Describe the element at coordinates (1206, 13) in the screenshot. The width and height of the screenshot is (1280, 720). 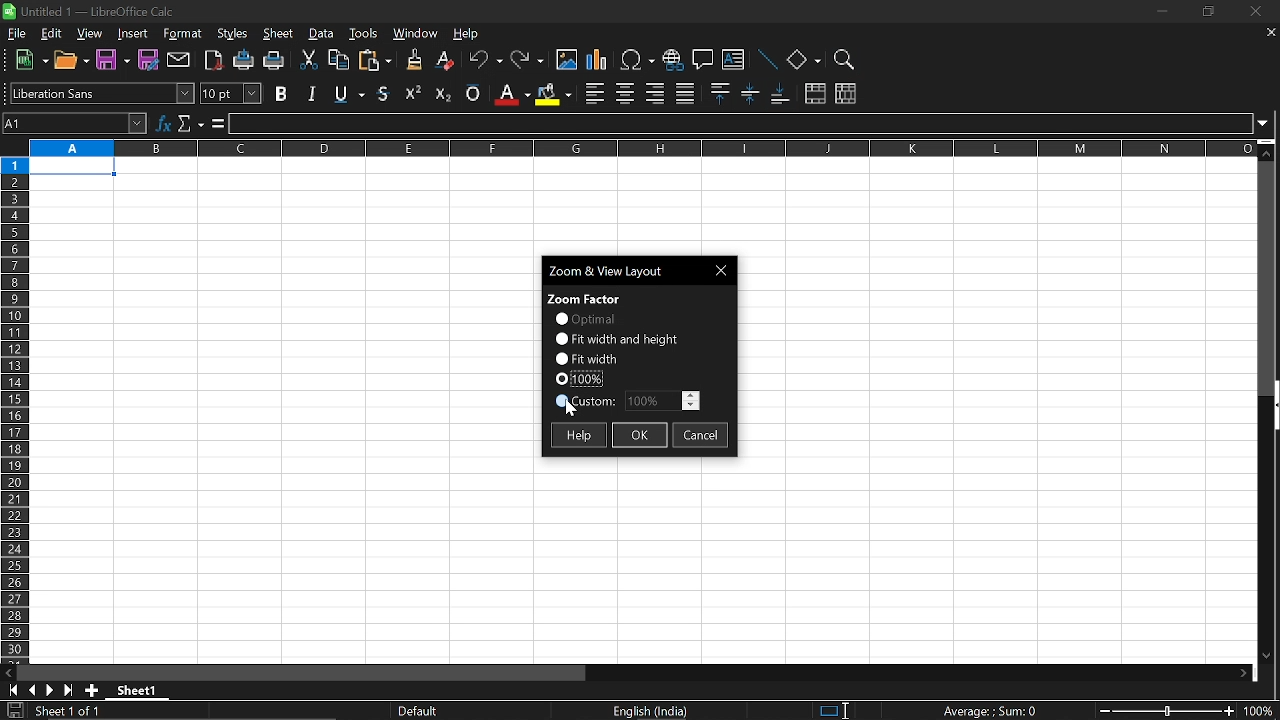
I see `restore down` at that location.